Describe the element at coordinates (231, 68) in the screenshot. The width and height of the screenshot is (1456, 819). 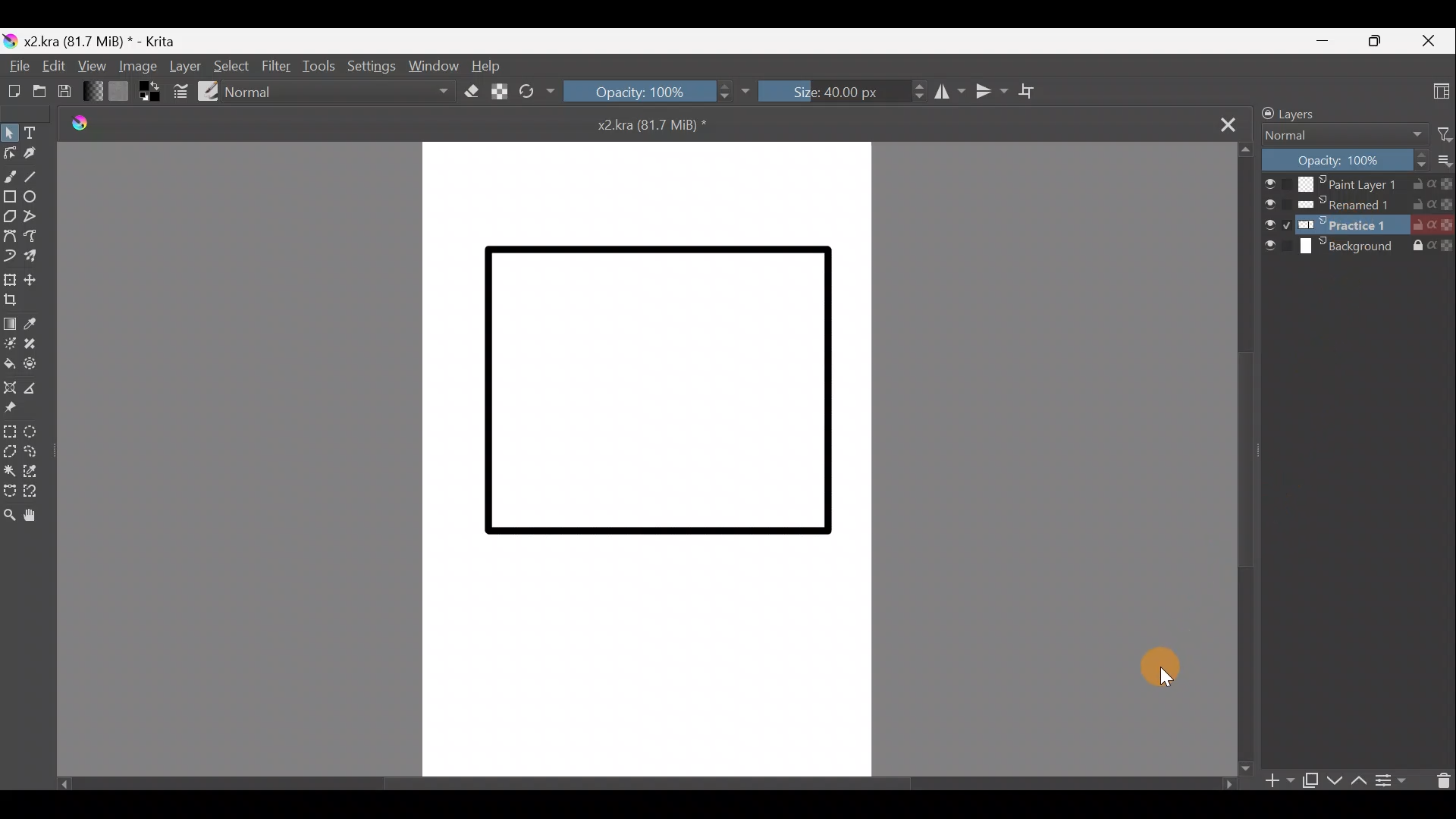
I see `Select` at that location.